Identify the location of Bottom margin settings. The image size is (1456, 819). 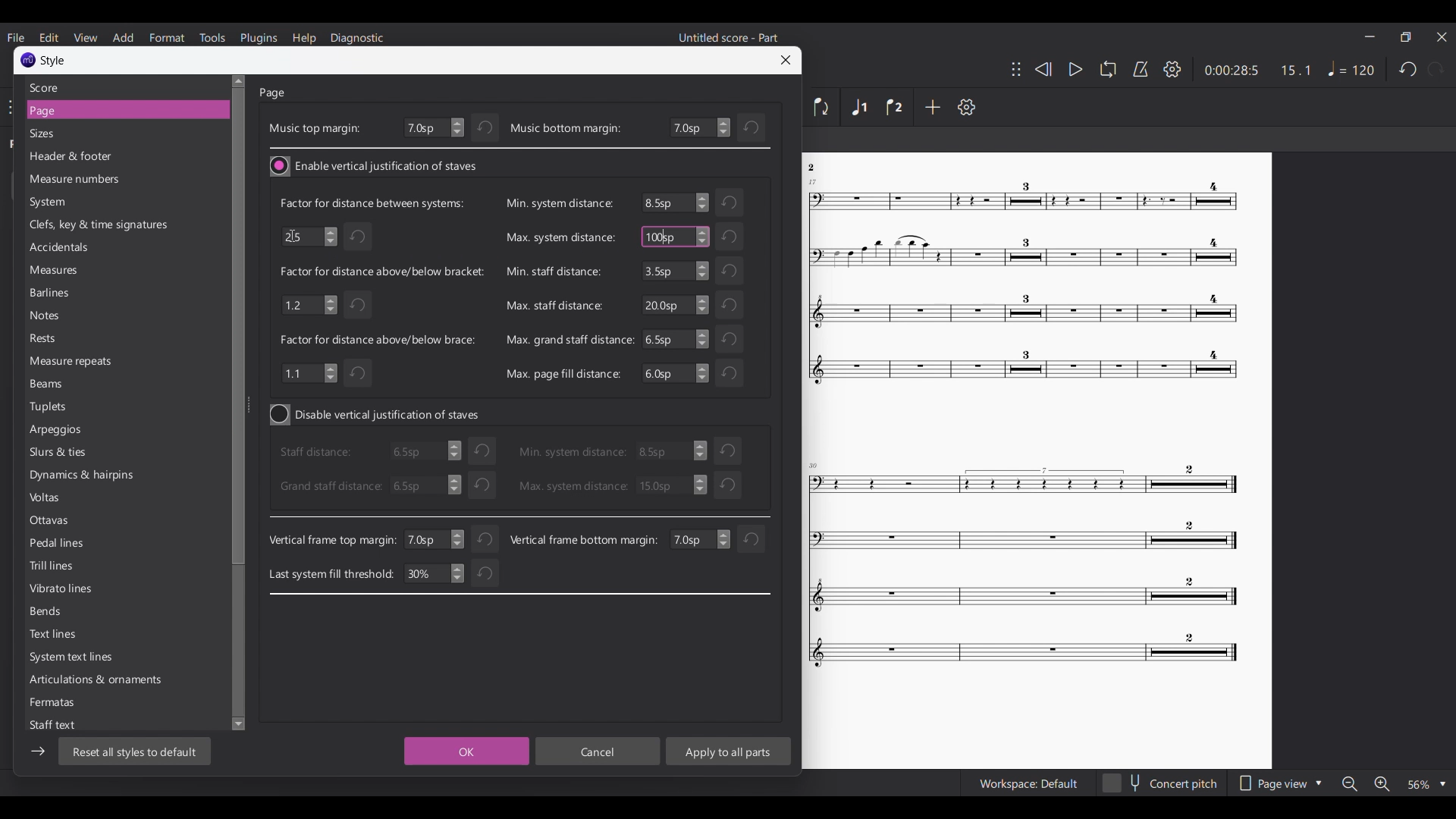
(700, 127).